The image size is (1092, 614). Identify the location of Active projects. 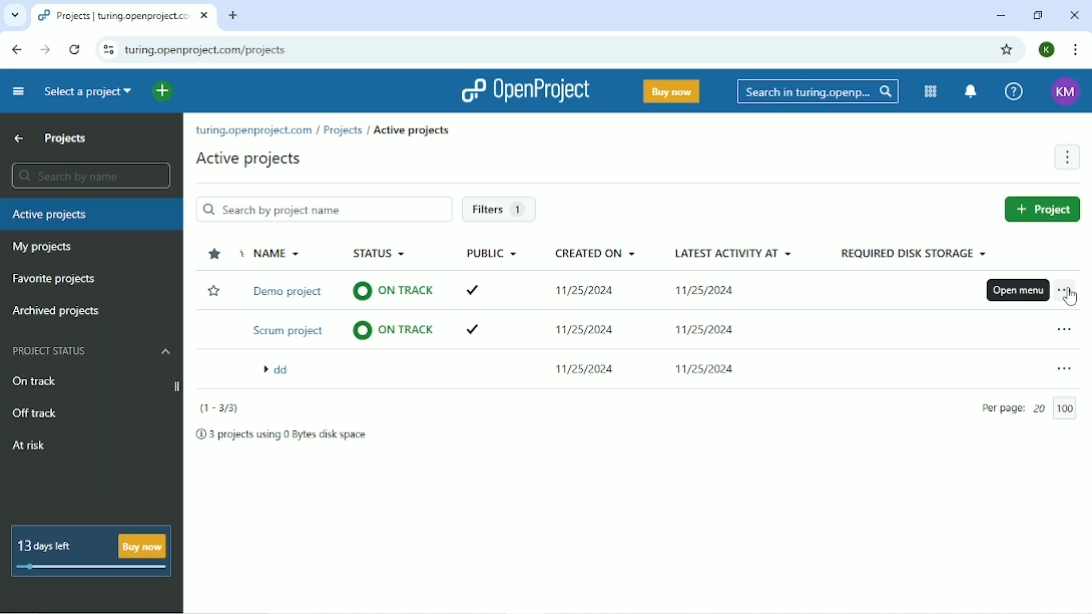
(249, 159).